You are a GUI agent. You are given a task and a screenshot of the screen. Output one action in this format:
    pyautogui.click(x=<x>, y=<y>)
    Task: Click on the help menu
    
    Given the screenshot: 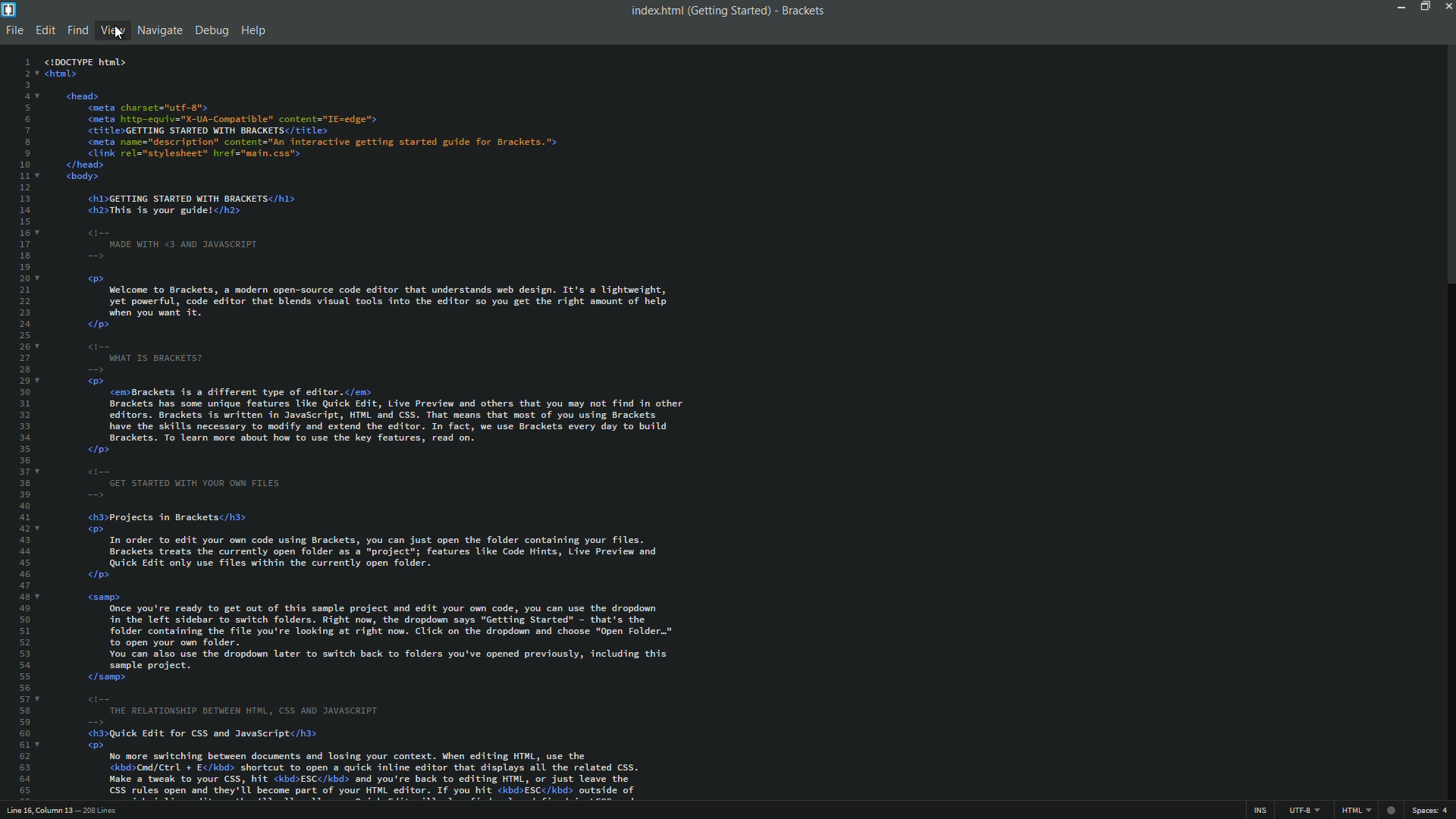 What is the action you would take?
    pyautogui.click(x=254, y=32)
    